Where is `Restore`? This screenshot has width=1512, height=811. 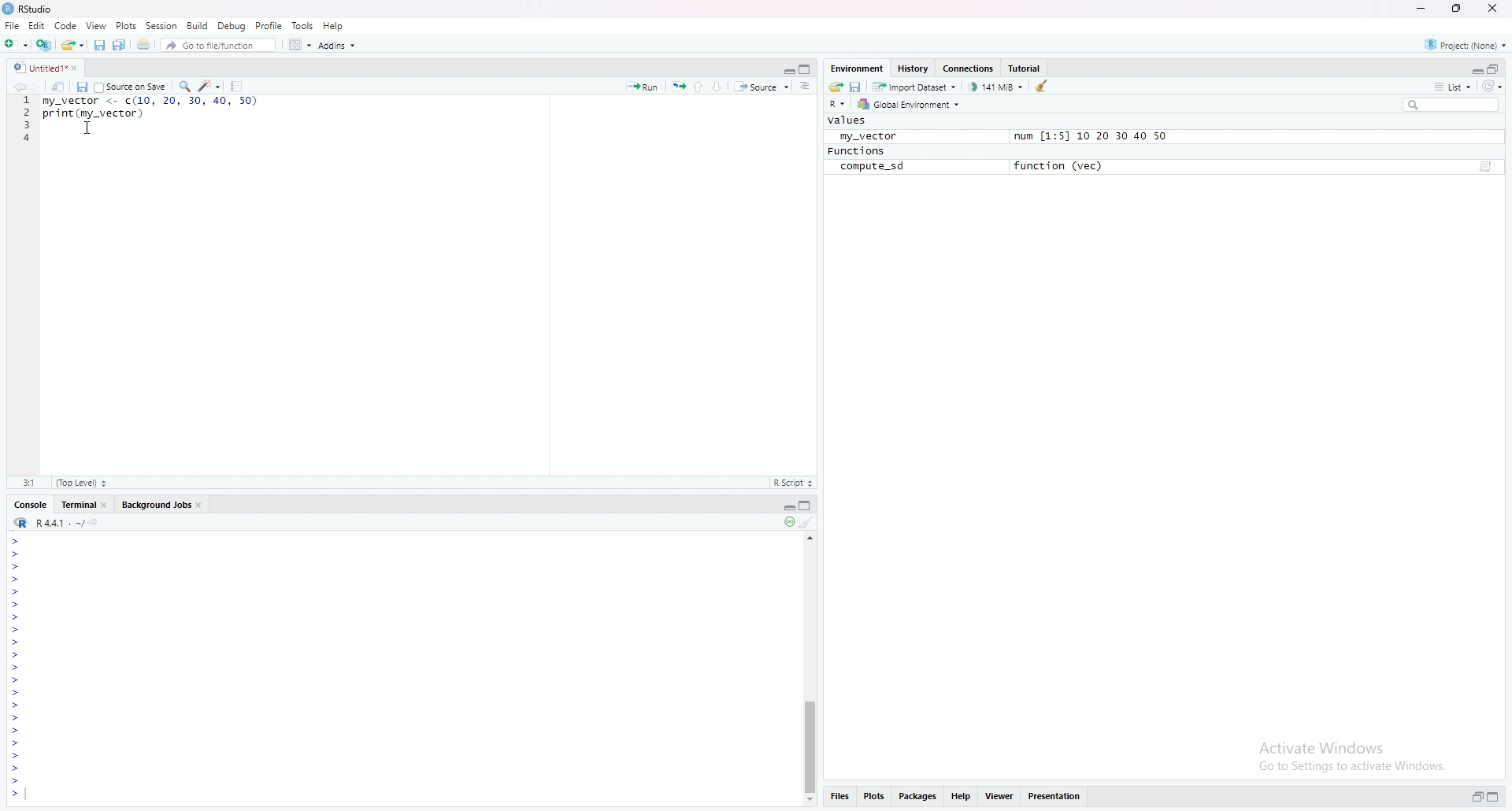
Restore is located at coordinates (1477, 797).